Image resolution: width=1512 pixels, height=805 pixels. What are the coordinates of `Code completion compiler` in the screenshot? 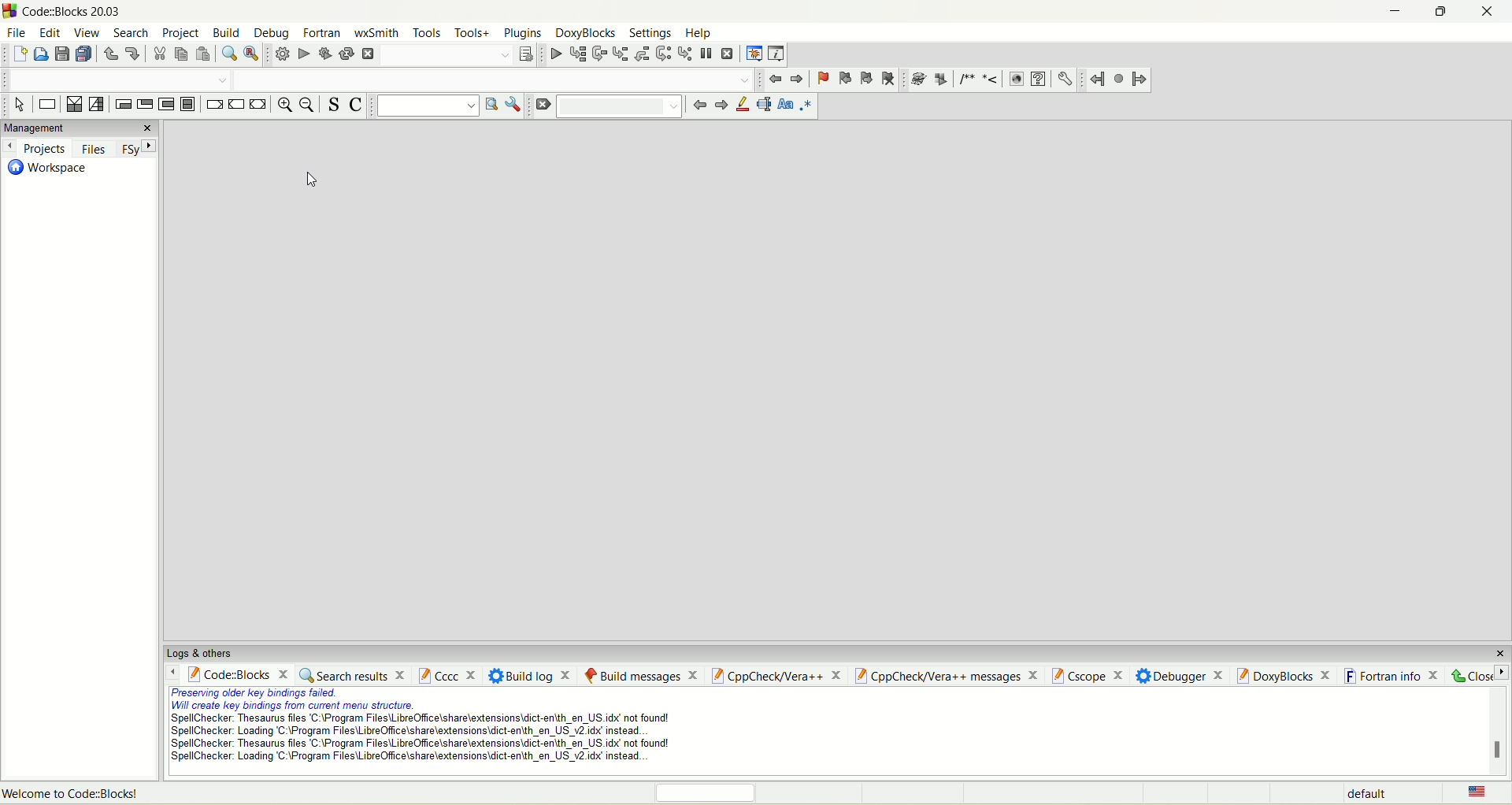 It's located at (497, 79).